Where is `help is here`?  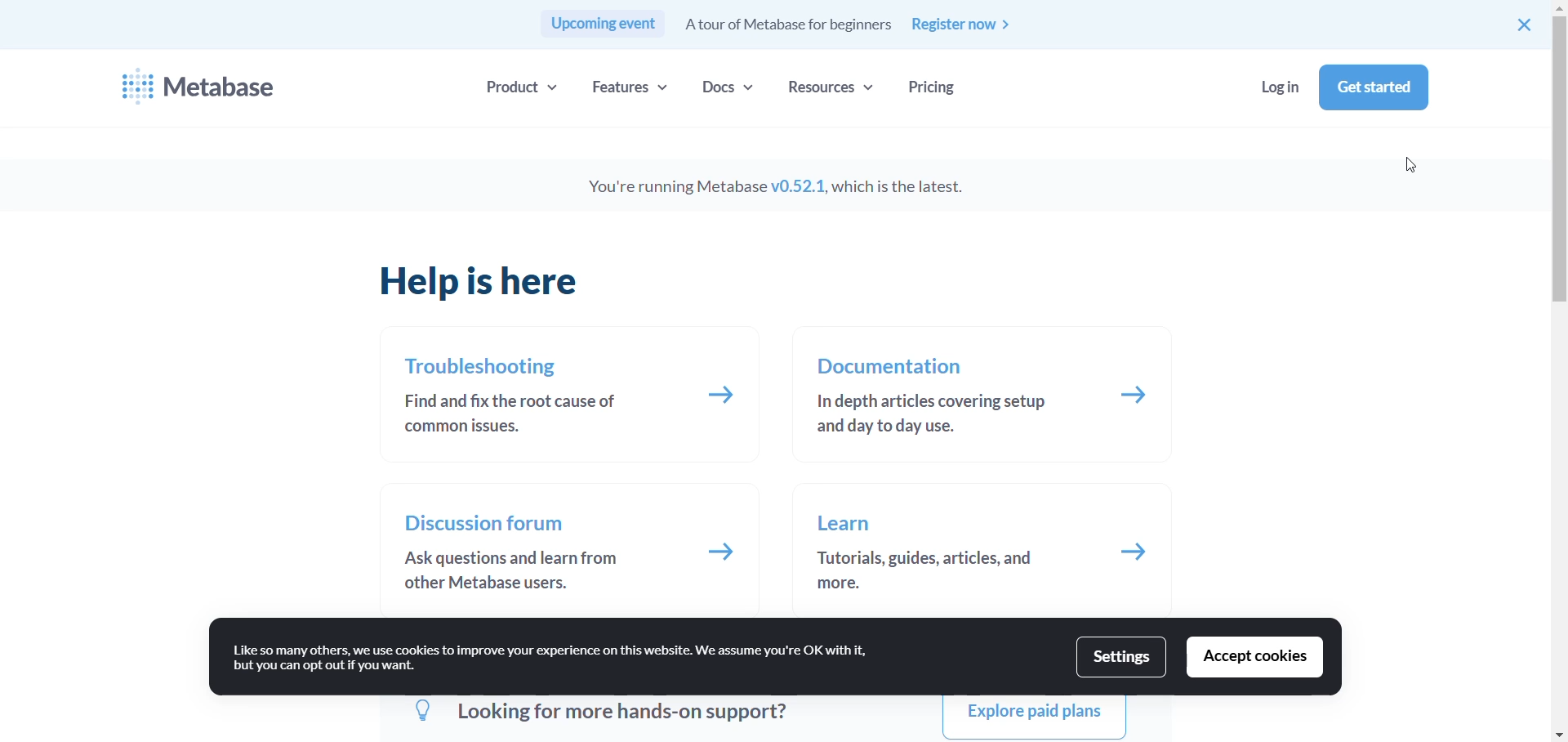
help is here is located at coordinates (488, 283).